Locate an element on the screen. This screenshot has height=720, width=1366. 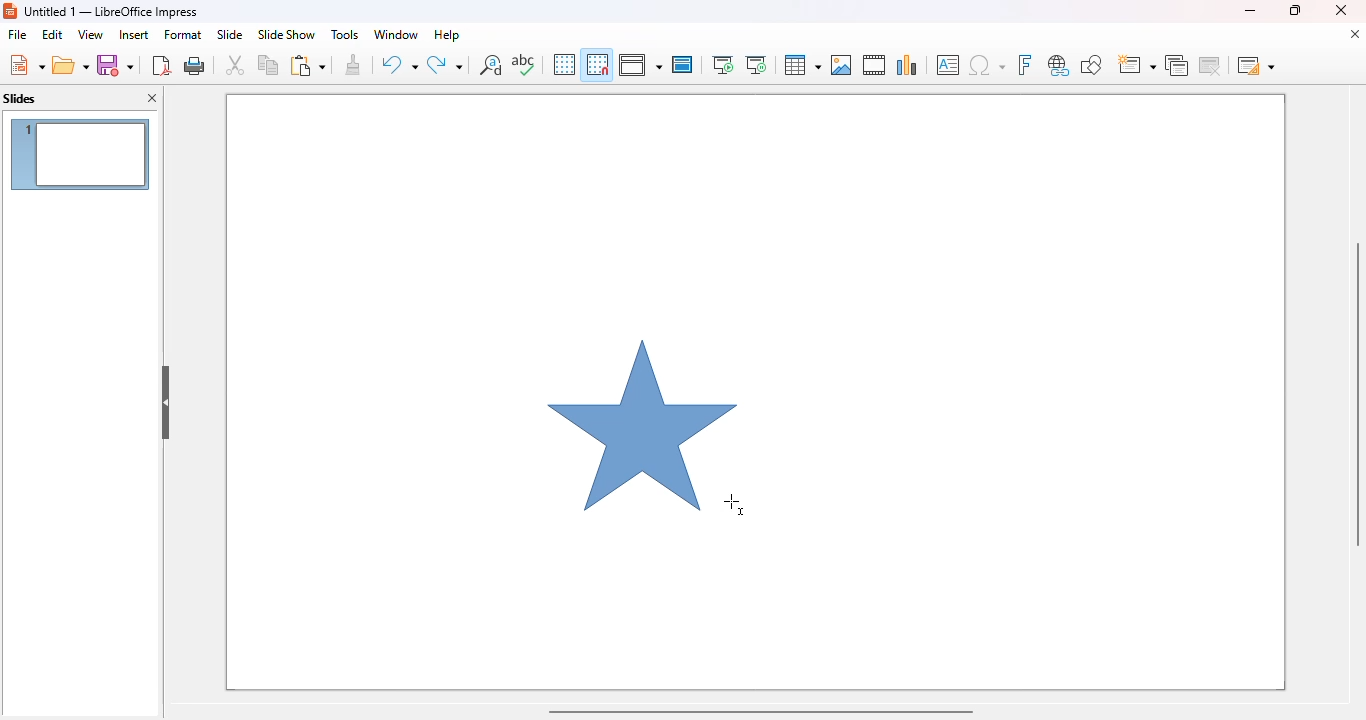
find and replace is located at coordinates (491, 64).